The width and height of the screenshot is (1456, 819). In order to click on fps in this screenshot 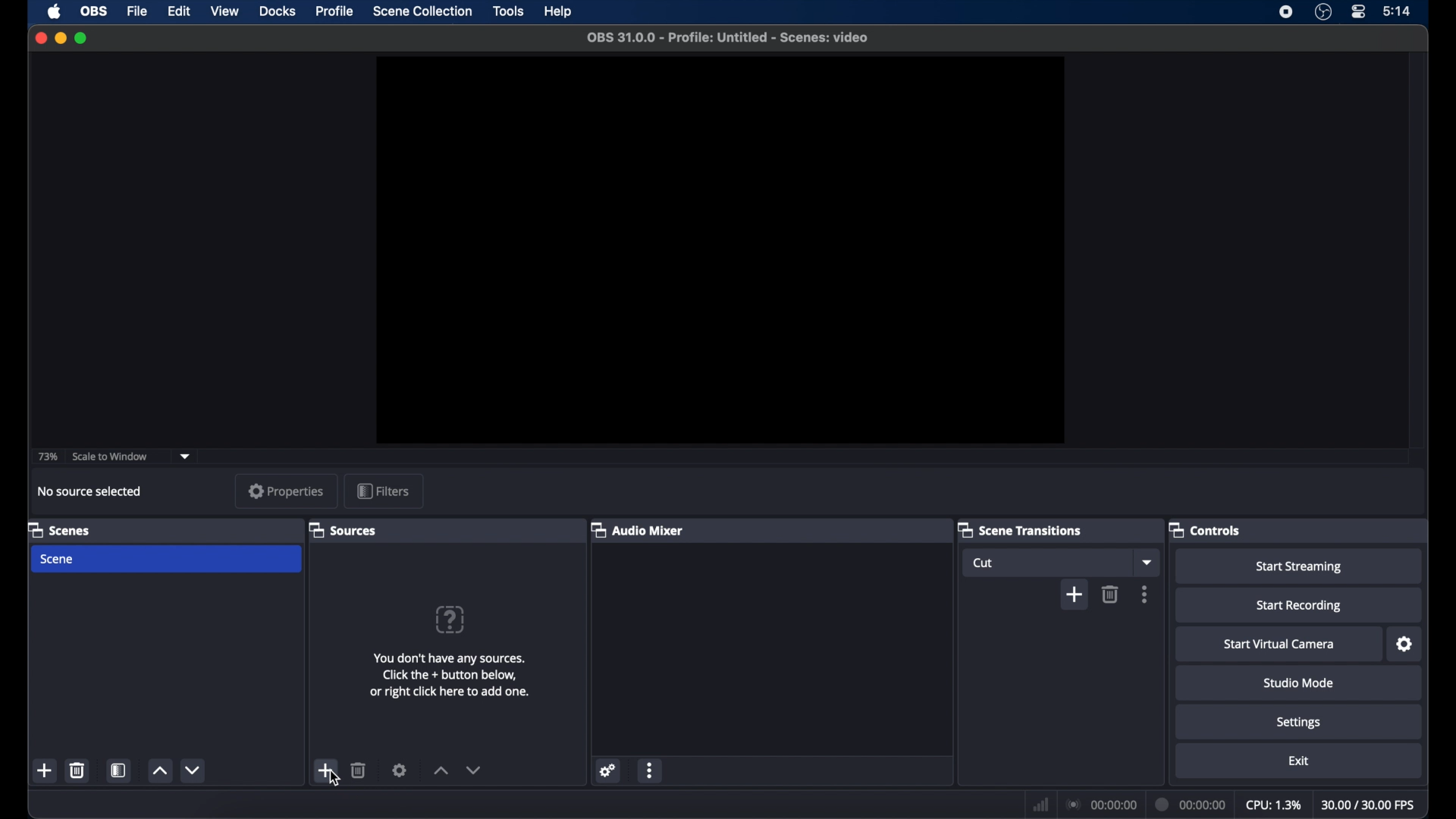, I will do `click(1370, 805)`.